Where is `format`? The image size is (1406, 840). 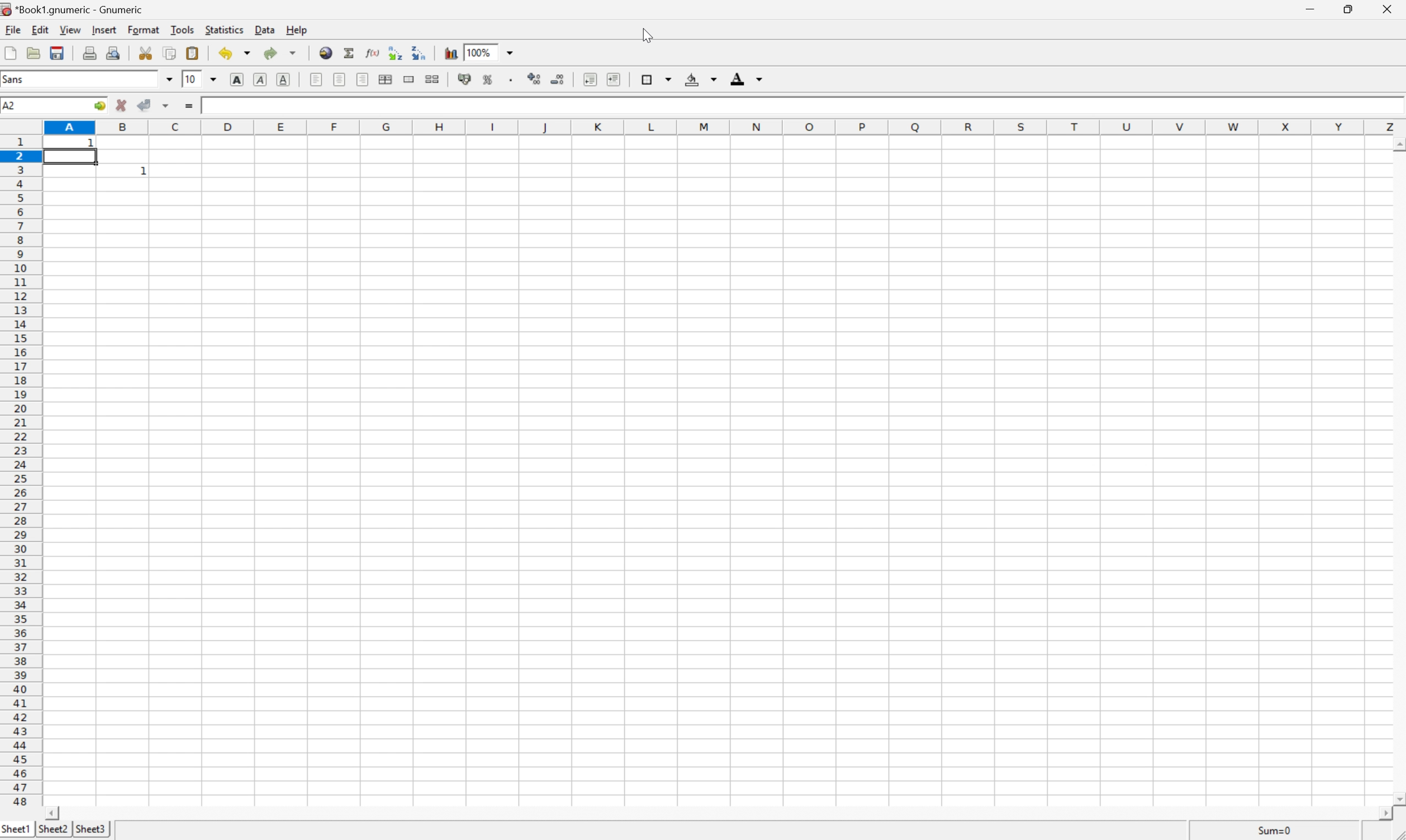 format is located at coordinates (143, 31).